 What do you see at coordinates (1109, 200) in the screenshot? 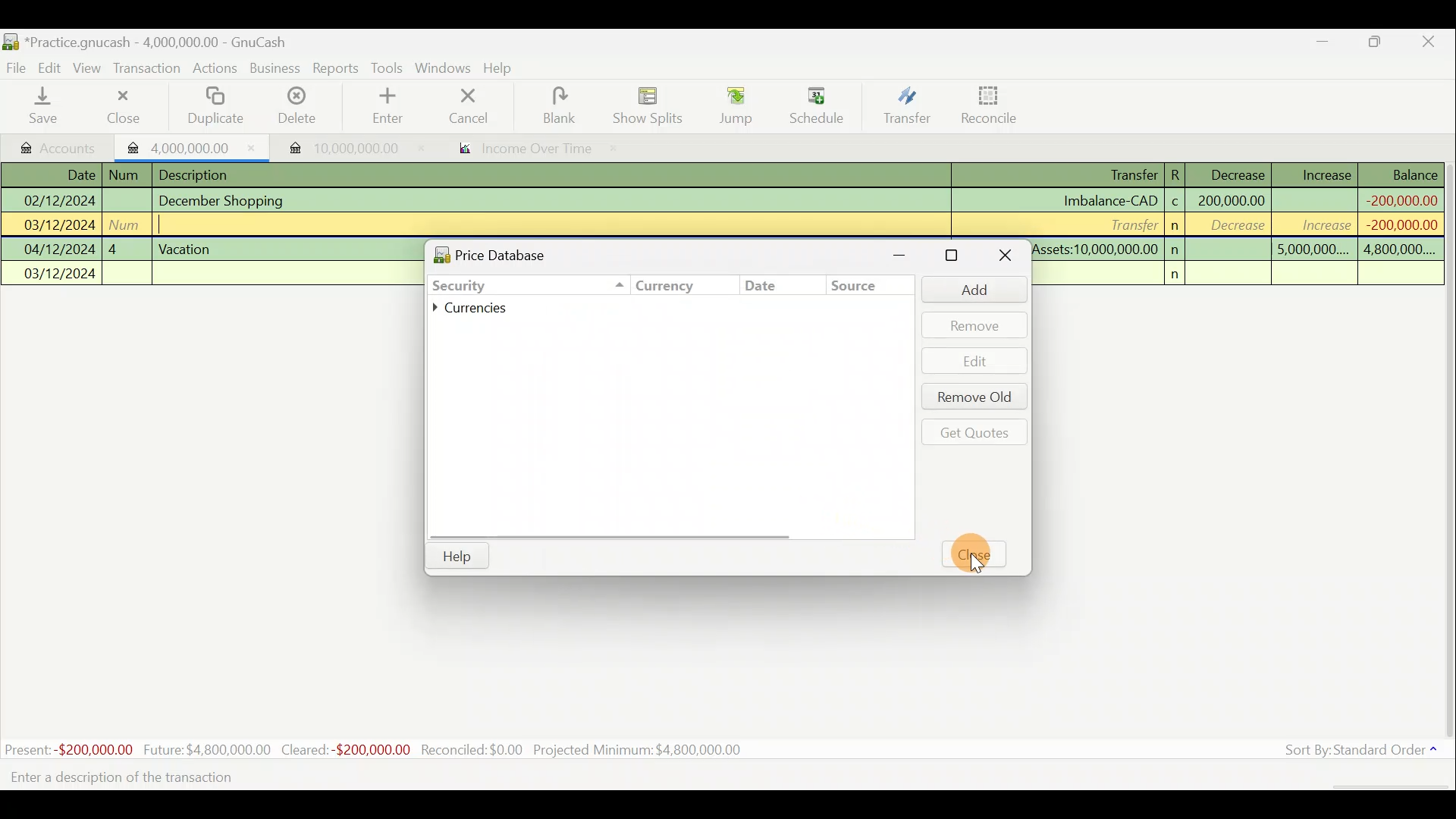
I see `Imbalance-CAD` at bounding box center [1109, 200].